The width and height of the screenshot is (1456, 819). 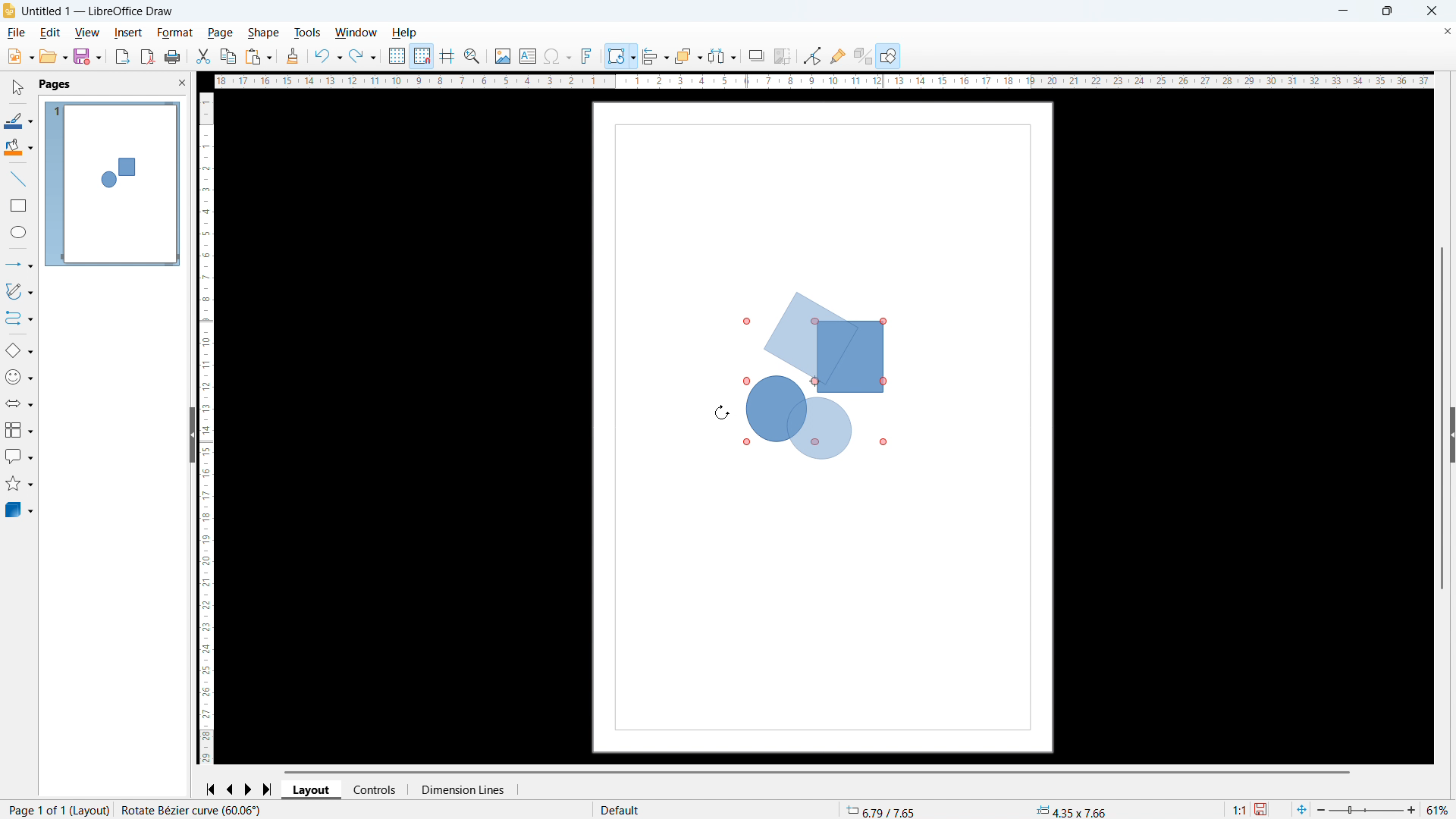 What do you see at coordinates (655, 55) in the screenshot?
I see `align ` at bounding box center [655, 55].